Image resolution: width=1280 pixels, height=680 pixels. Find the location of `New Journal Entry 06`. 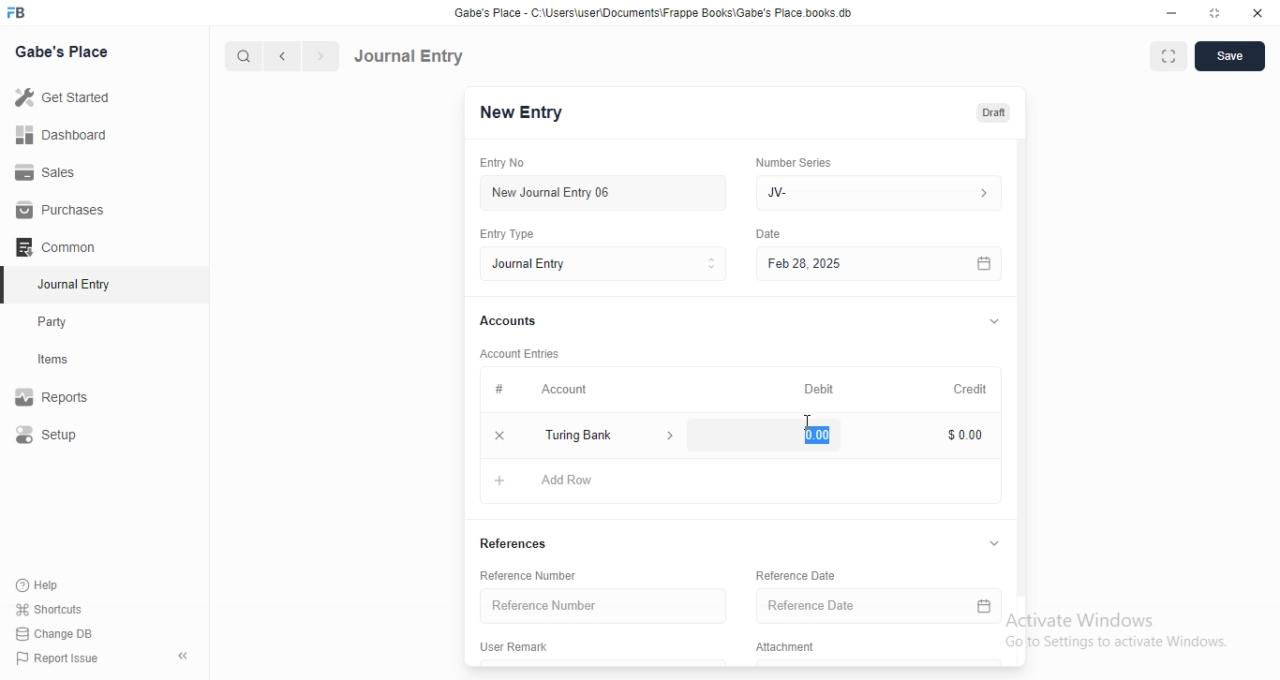

New Journal Entry 06 is located at coordinates (597, 191).